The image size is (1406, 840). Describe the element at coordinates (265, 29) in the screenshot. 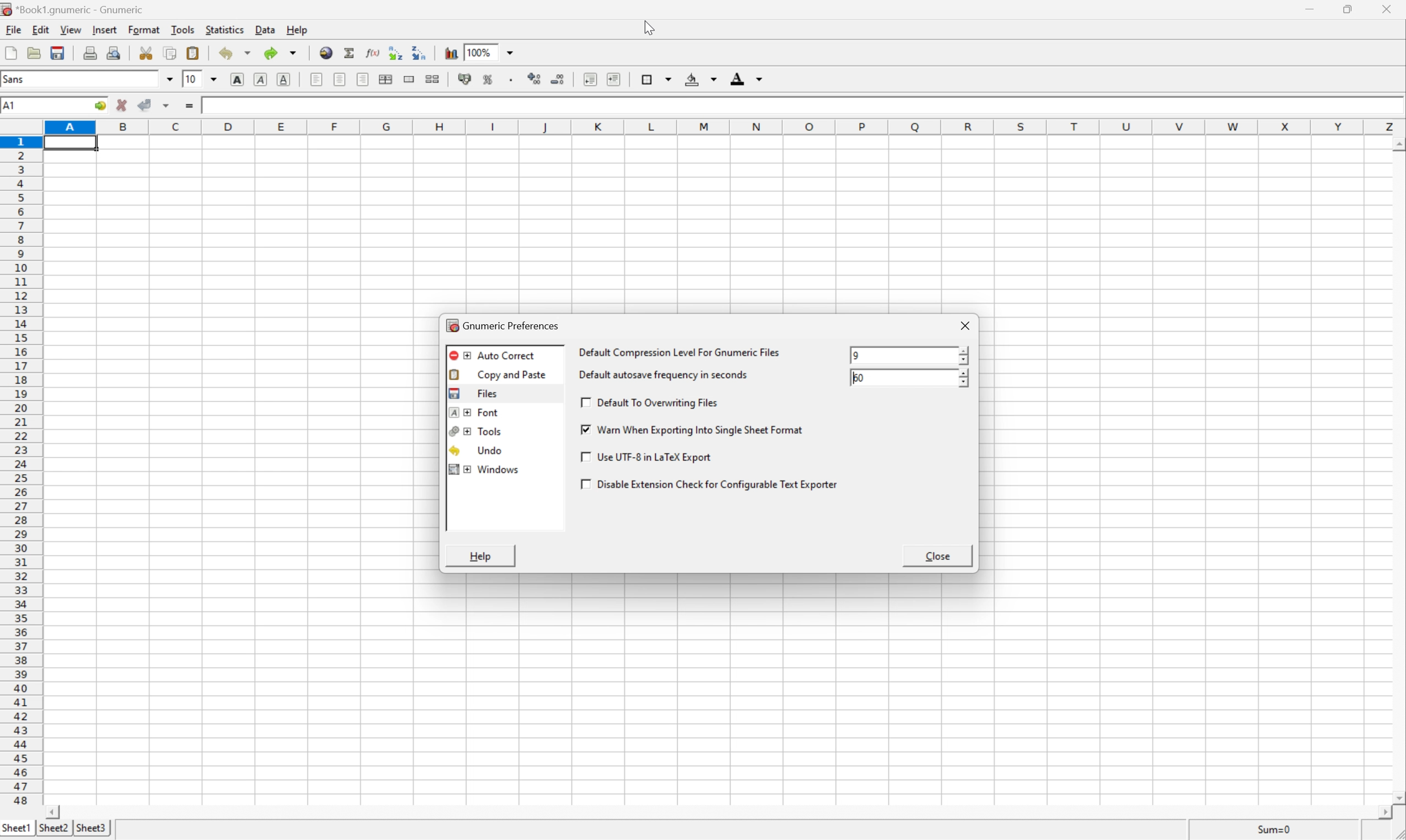

I see `data` at that location.